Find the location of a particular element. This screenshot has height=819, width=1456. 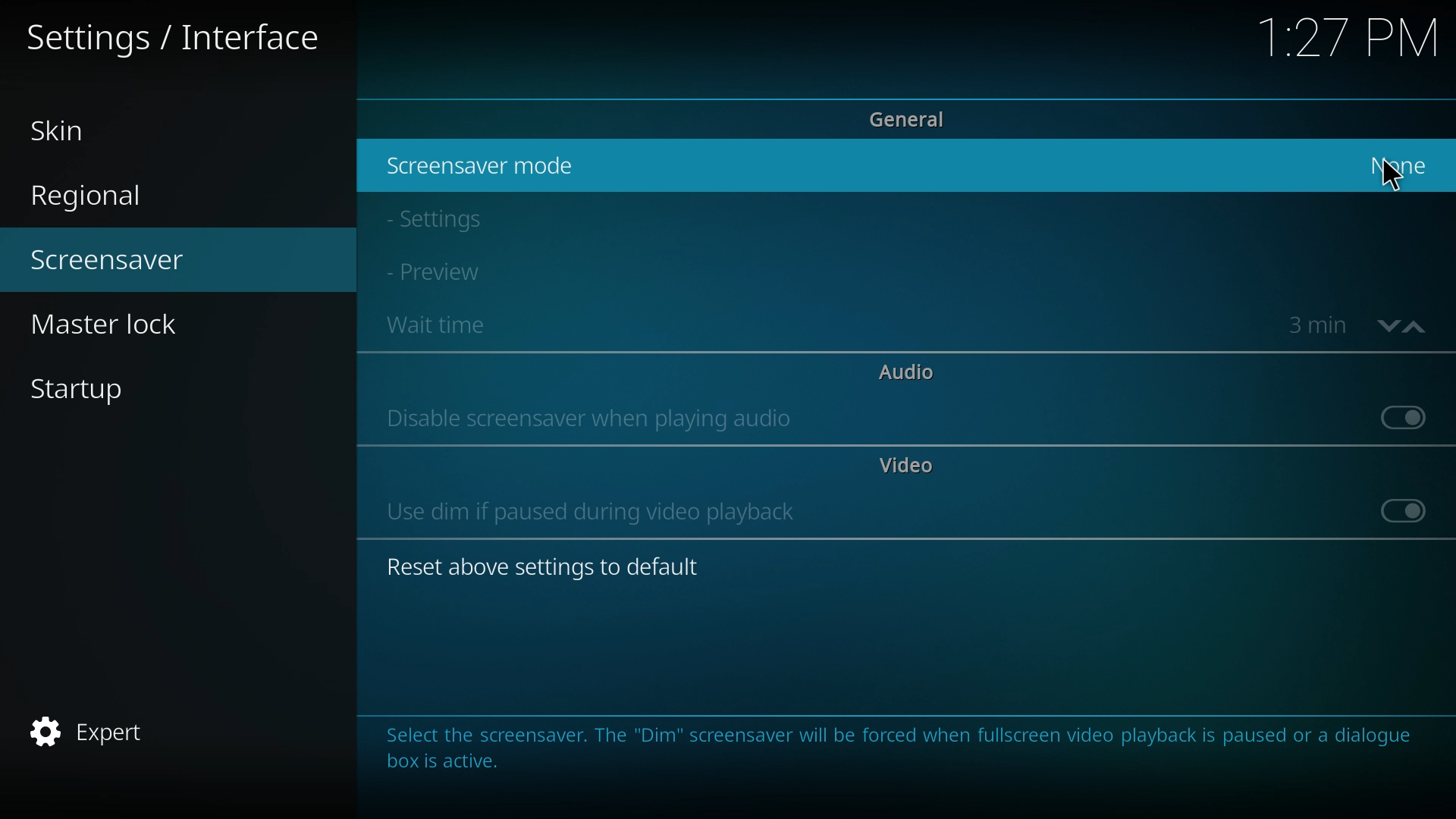

regional is located at coordinates (125, 191).